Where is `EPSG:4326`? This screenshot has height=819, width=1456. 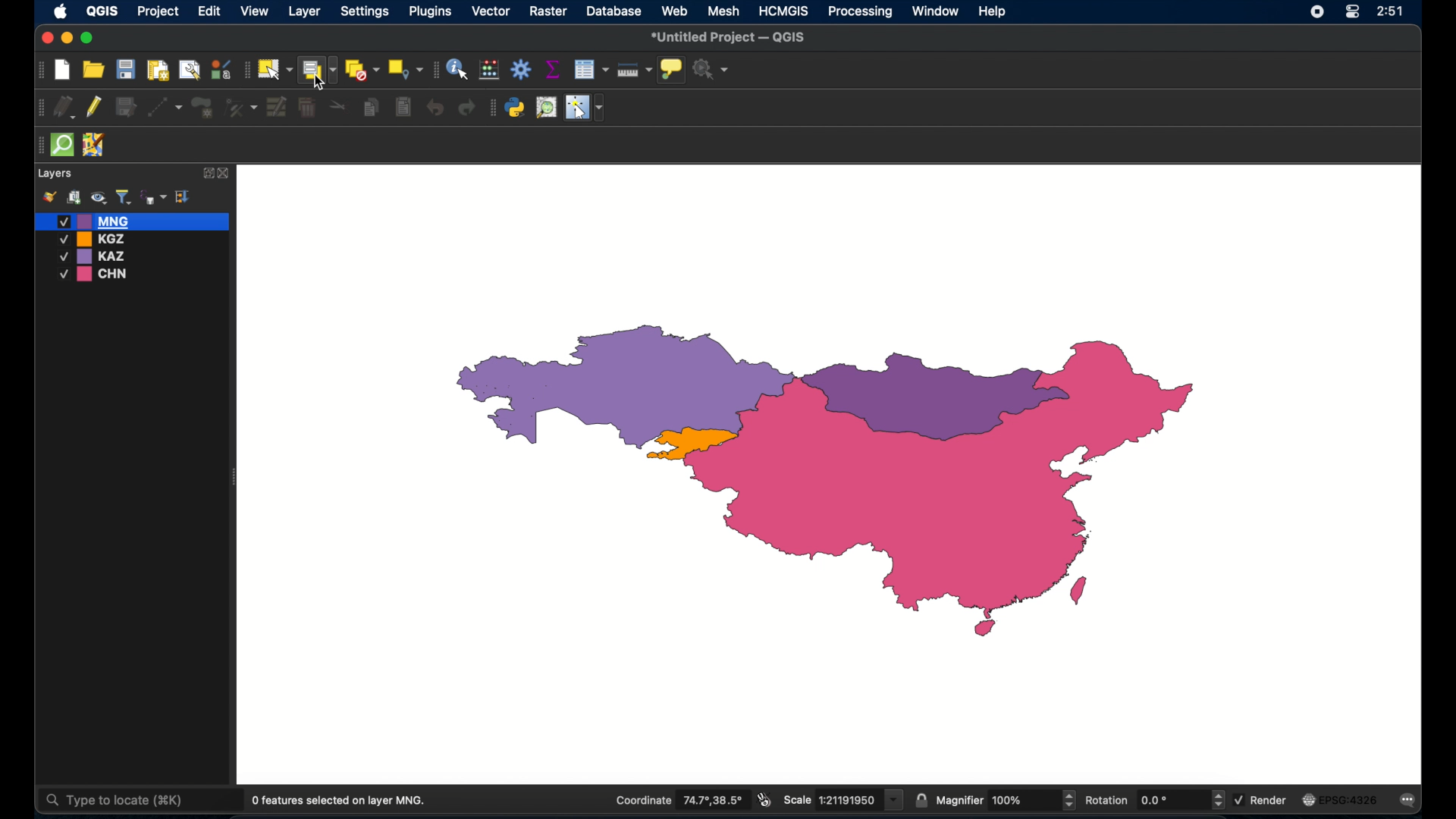 EPSG:4326 is located at coordinates (1341, 800).